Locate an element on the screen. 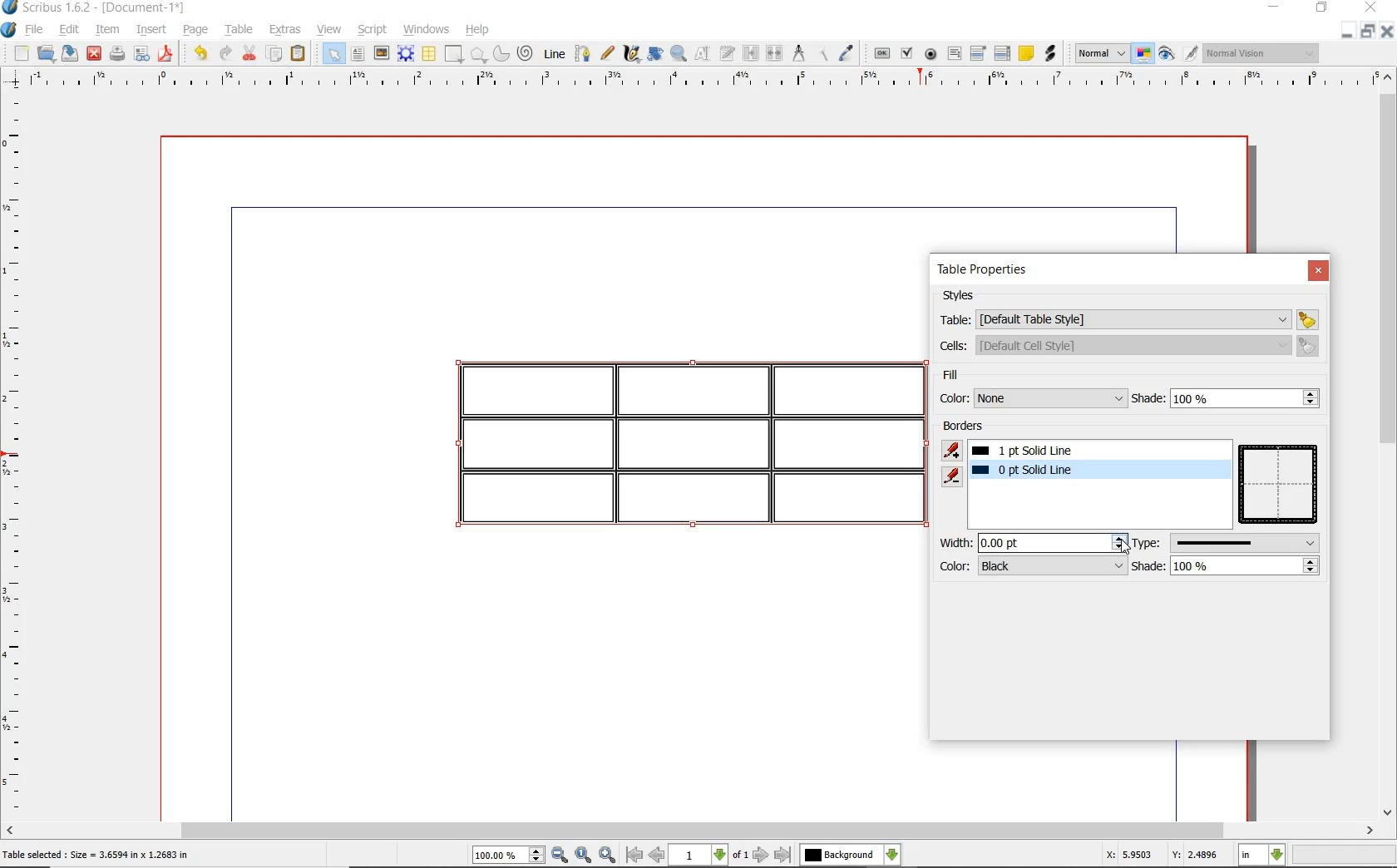 This screenshot has width=1397, height=868. border added is located at coordinates (1077, 469).